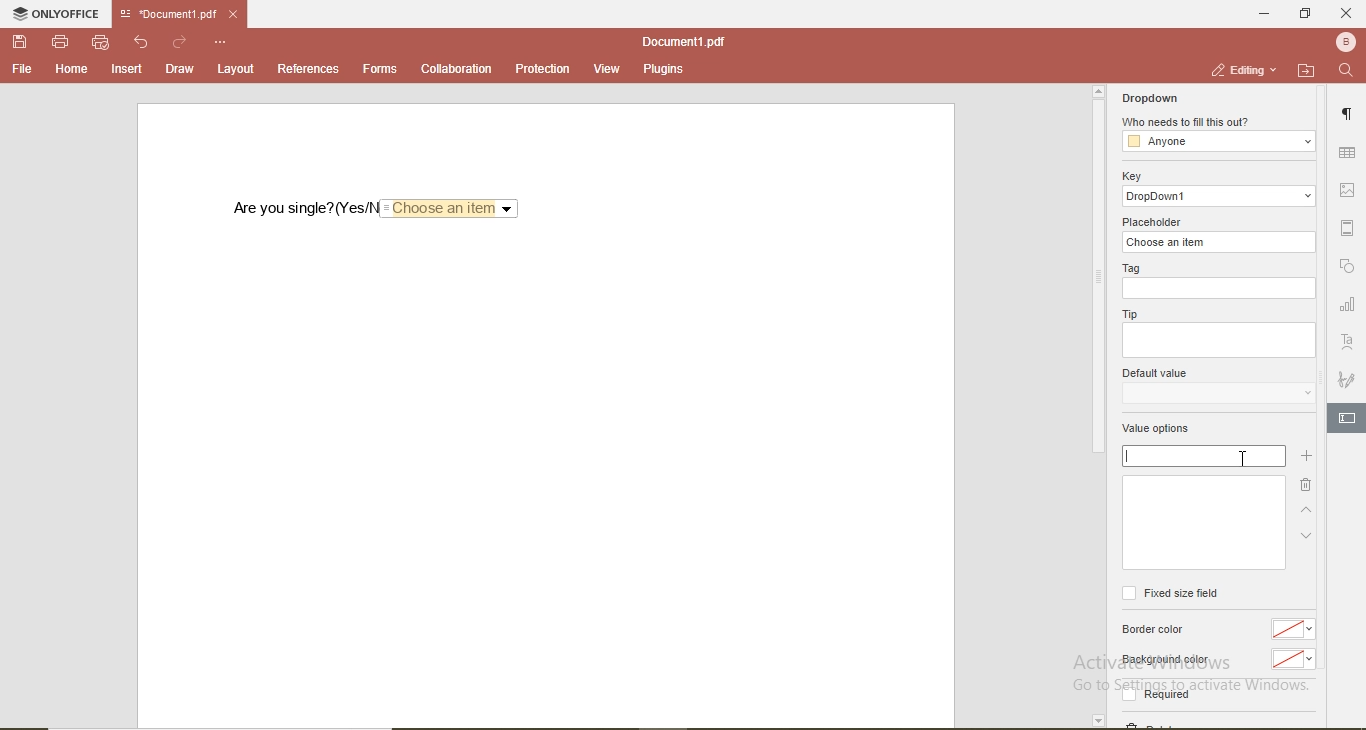  What do you see at coordinates (1129, 313) in the screenshot?
I see `tip` at bounding box center [1129, 313].